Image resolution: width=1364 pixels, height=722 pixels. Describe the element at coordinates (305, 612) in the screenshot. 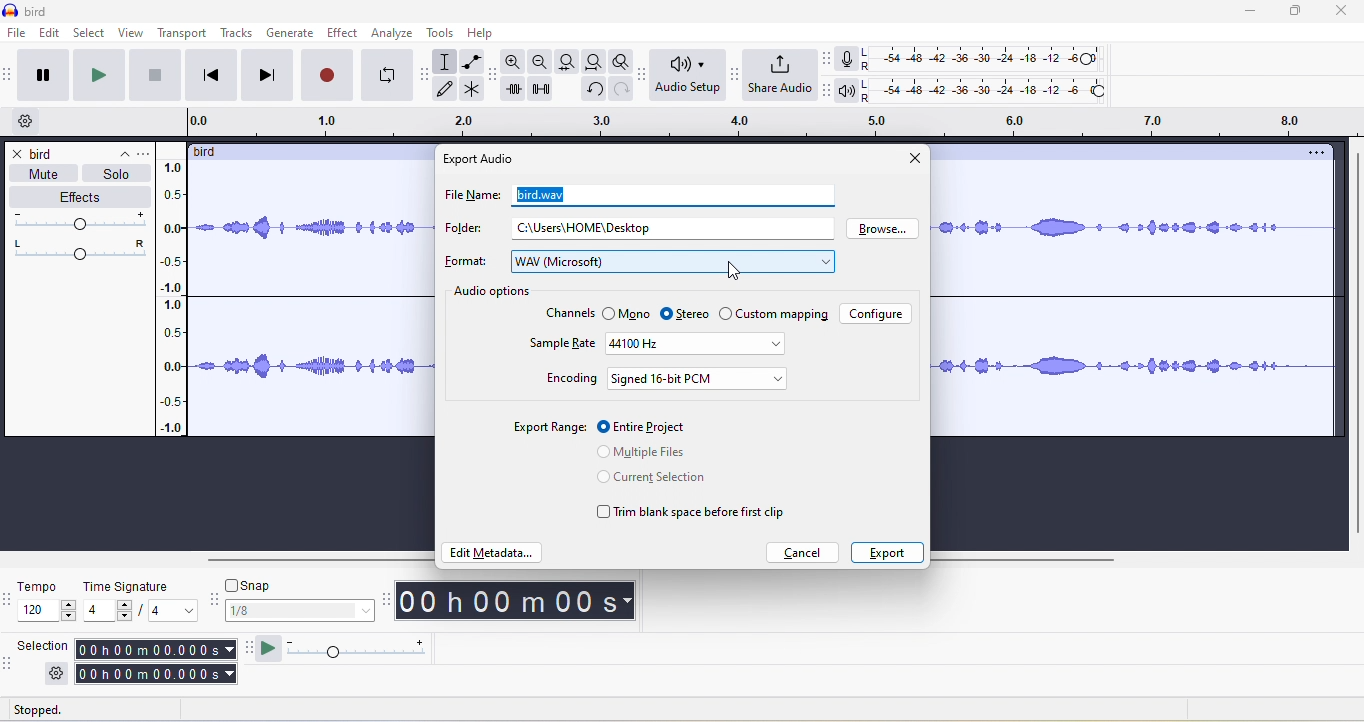

I see `snap` at that location.